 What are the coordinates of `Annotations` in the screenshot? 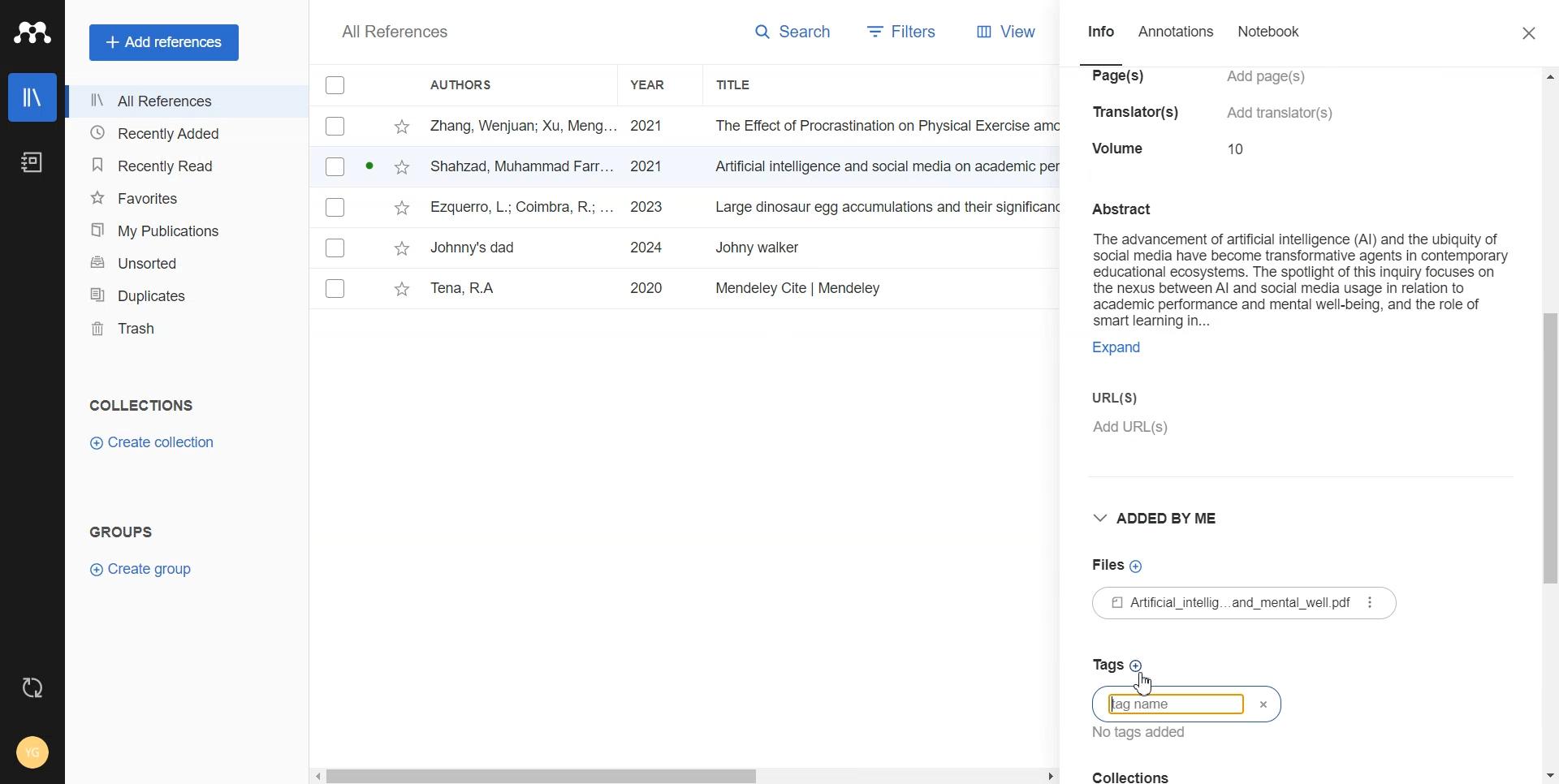 It's located at (1177, 40).